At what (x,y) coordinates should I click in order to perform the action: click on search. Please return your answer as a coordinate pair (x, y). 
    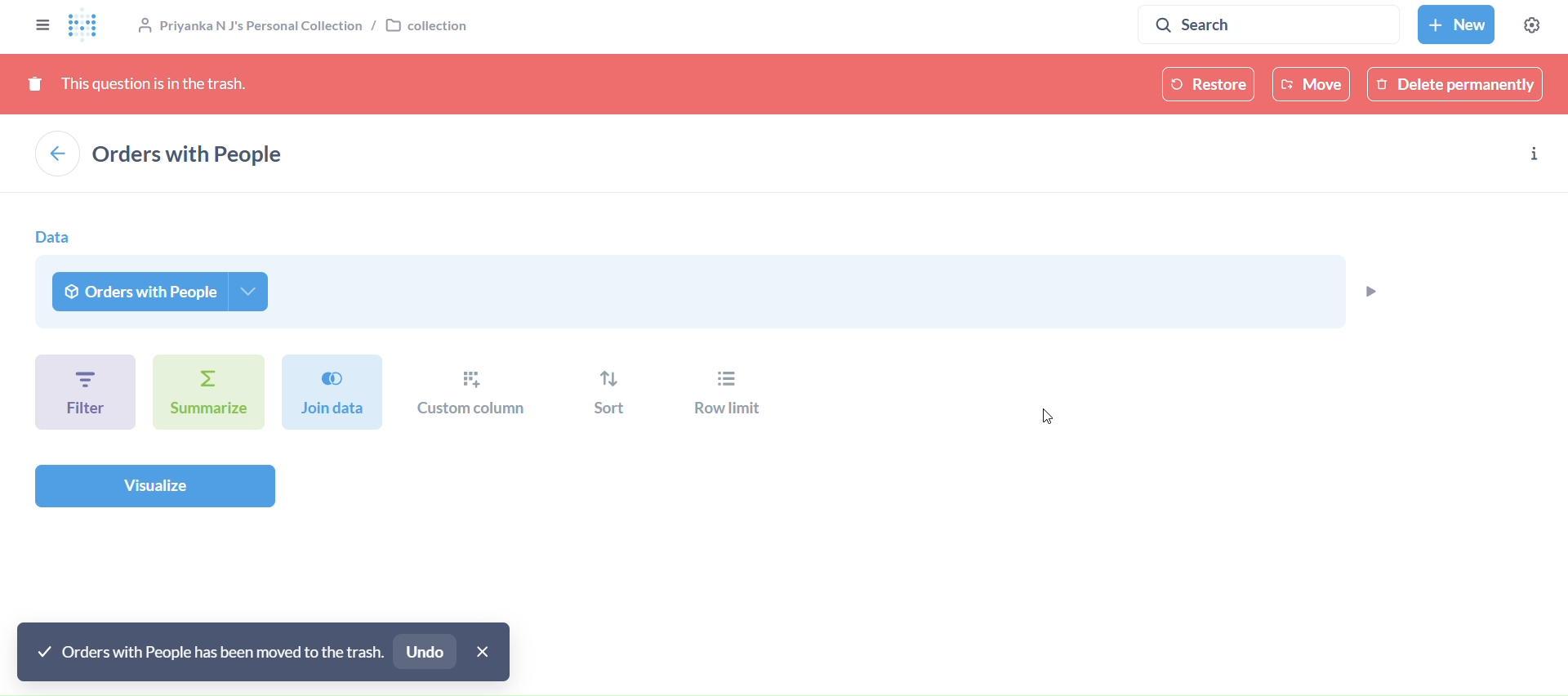
    Looking at the image, I should click on (1261, 25).